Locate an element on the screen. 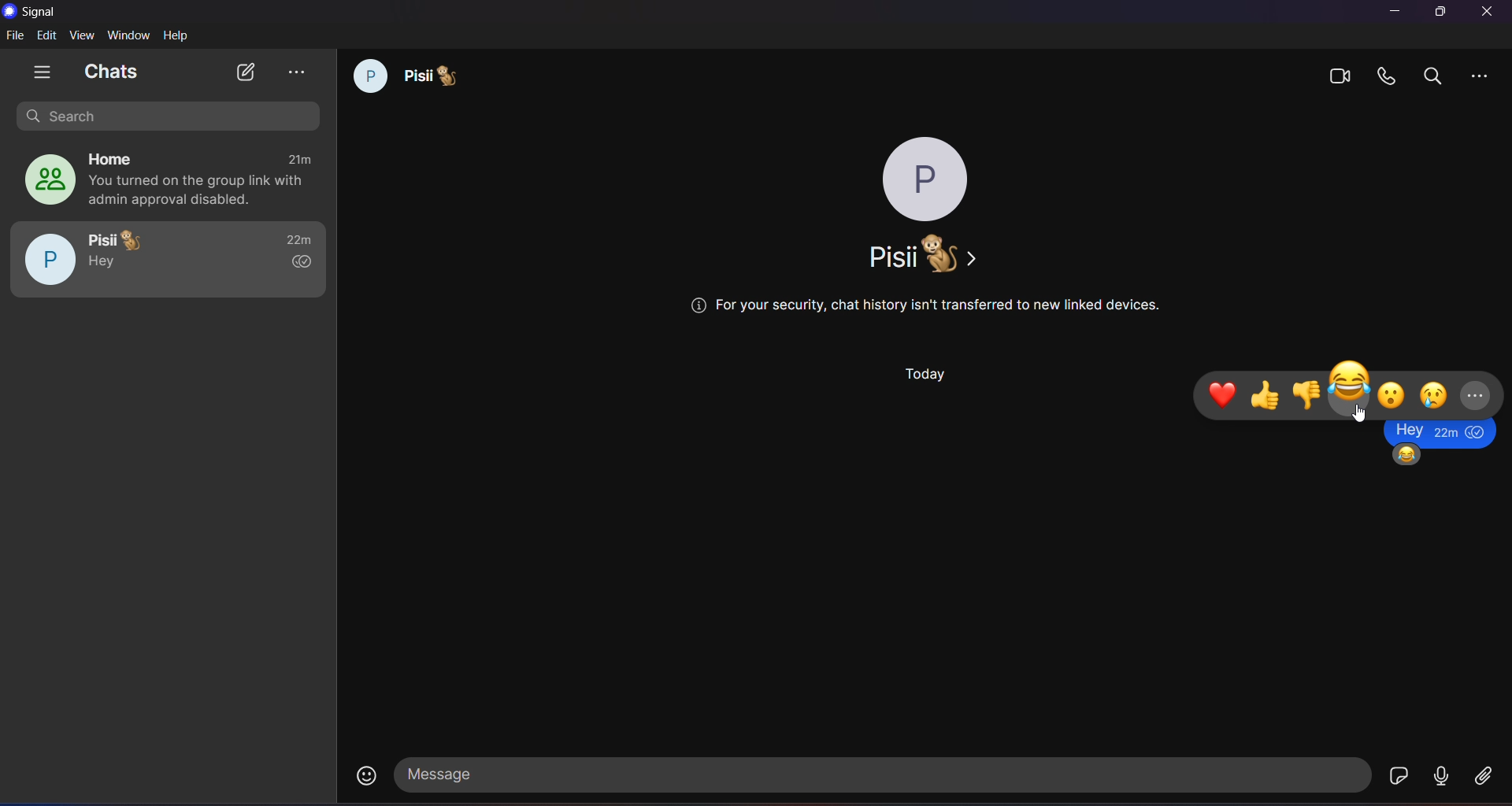 The width and height of the screenshot is (1512, 806). name is located at coordinates (917, 254).